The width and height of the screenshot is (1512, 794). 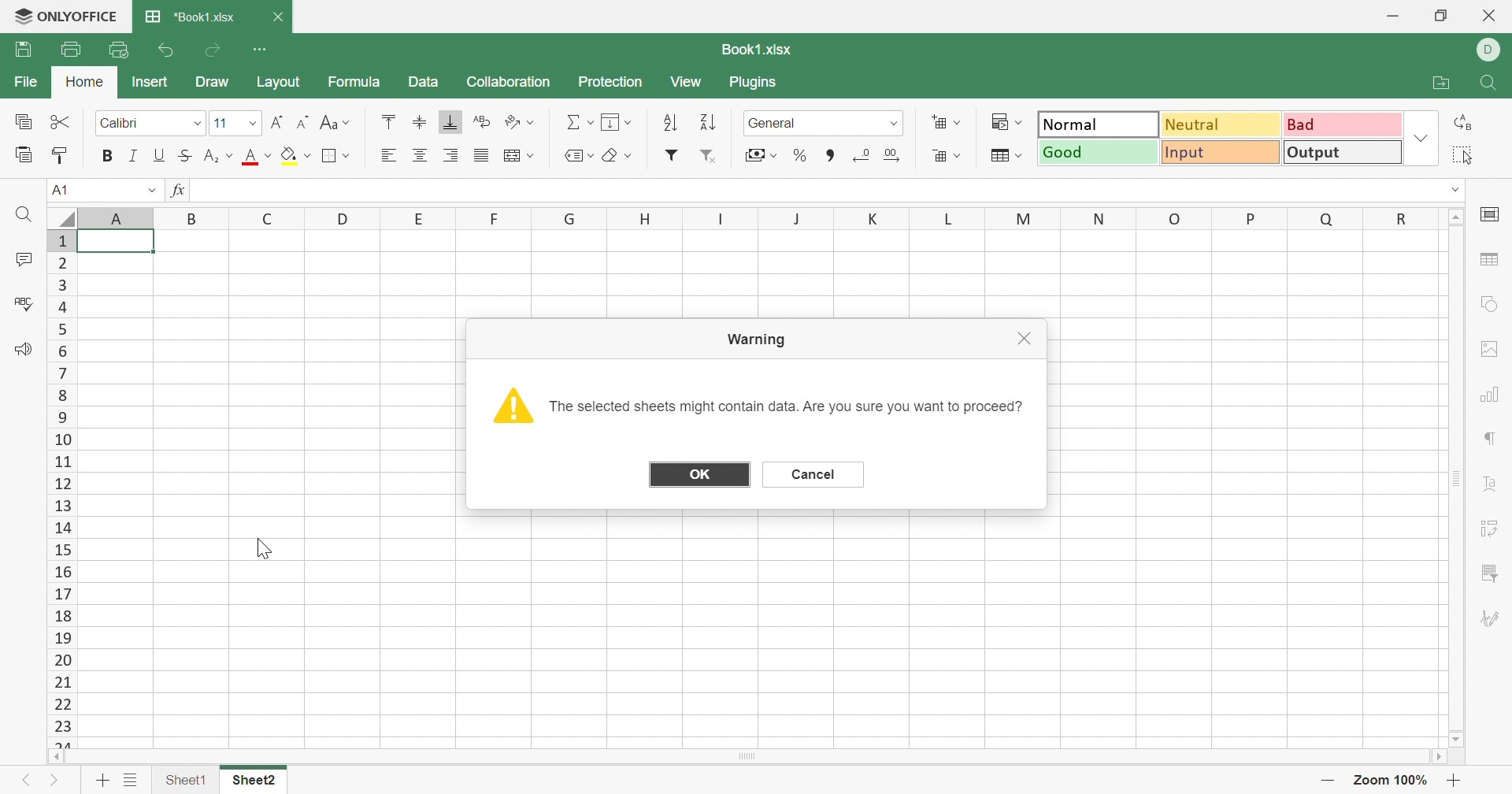 What do you see at coordinates (132, 777) in the screenshot?
I see `List of sheets` at bounding box center [132, 777].